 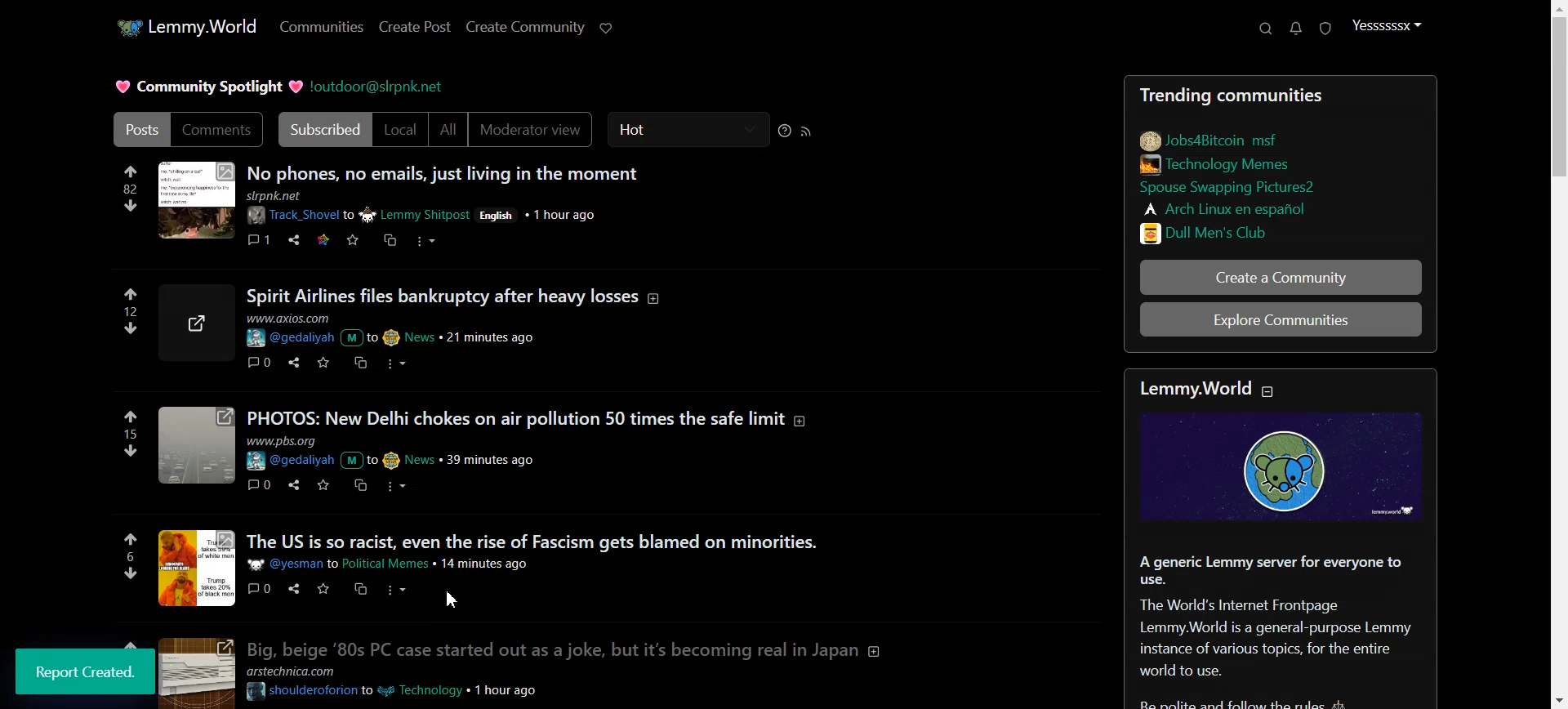 I want to click on numbers, so click(x=129, y=556).